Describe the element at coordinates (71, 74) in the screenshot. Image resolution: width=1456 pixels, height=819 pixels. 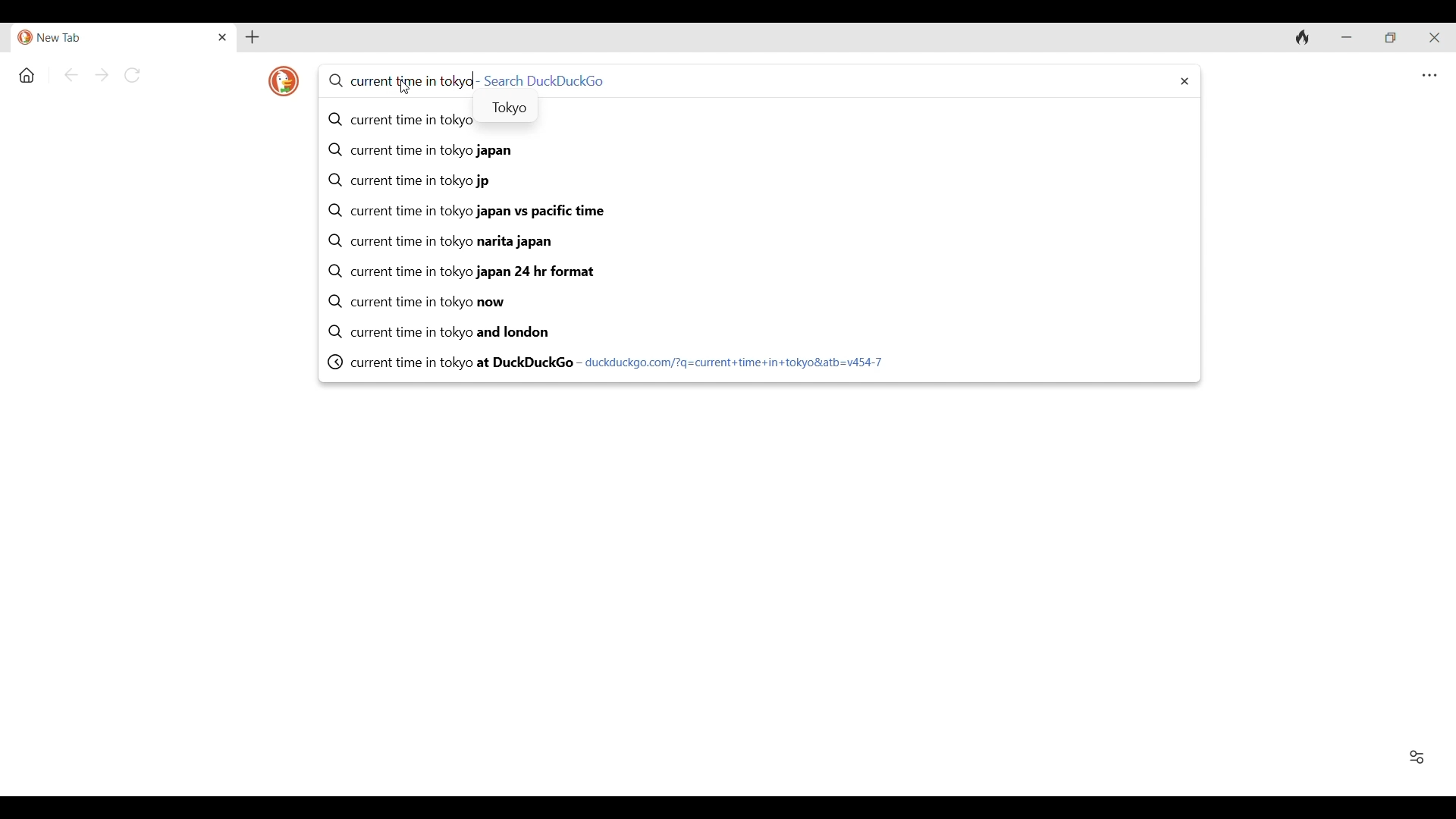
I see `Go back` at that location.